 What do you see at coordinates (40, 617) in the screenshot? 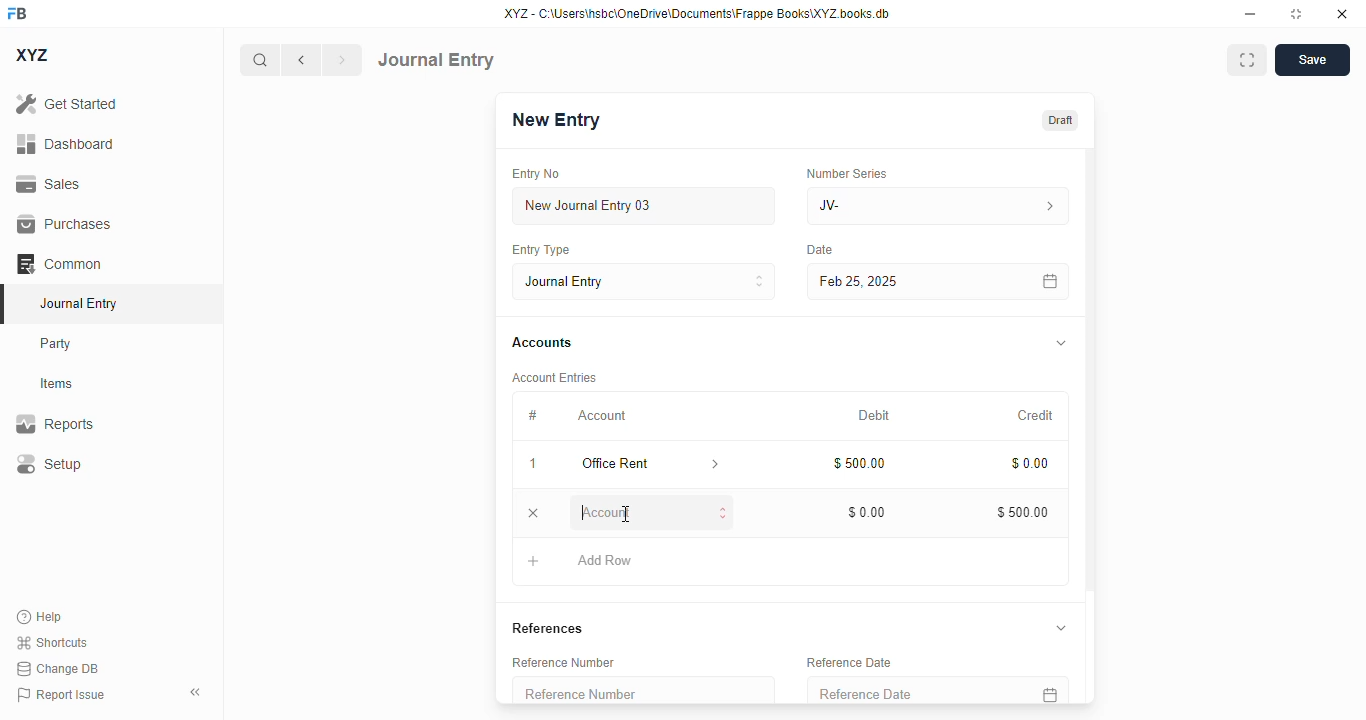
I see `help` at bounding box center [40, 617].